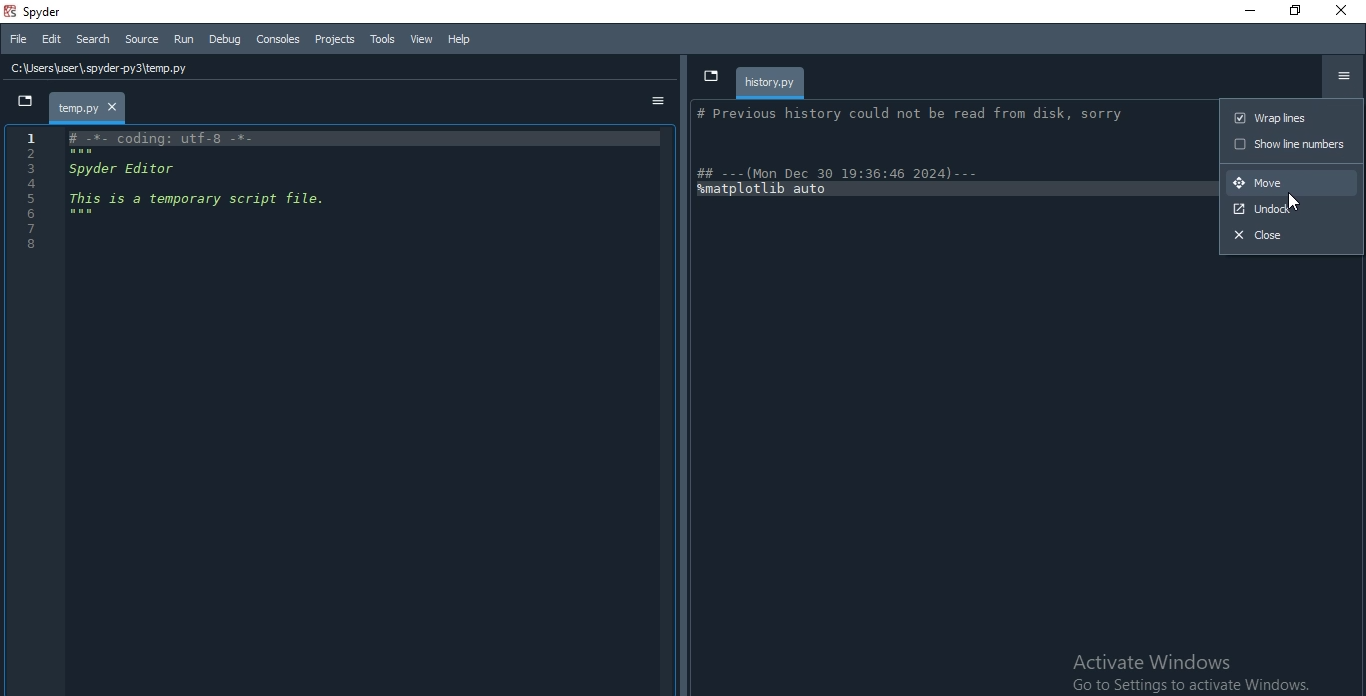  Describe the element at coordinates (656, 101) in the screenshot. I see `options` at that location.